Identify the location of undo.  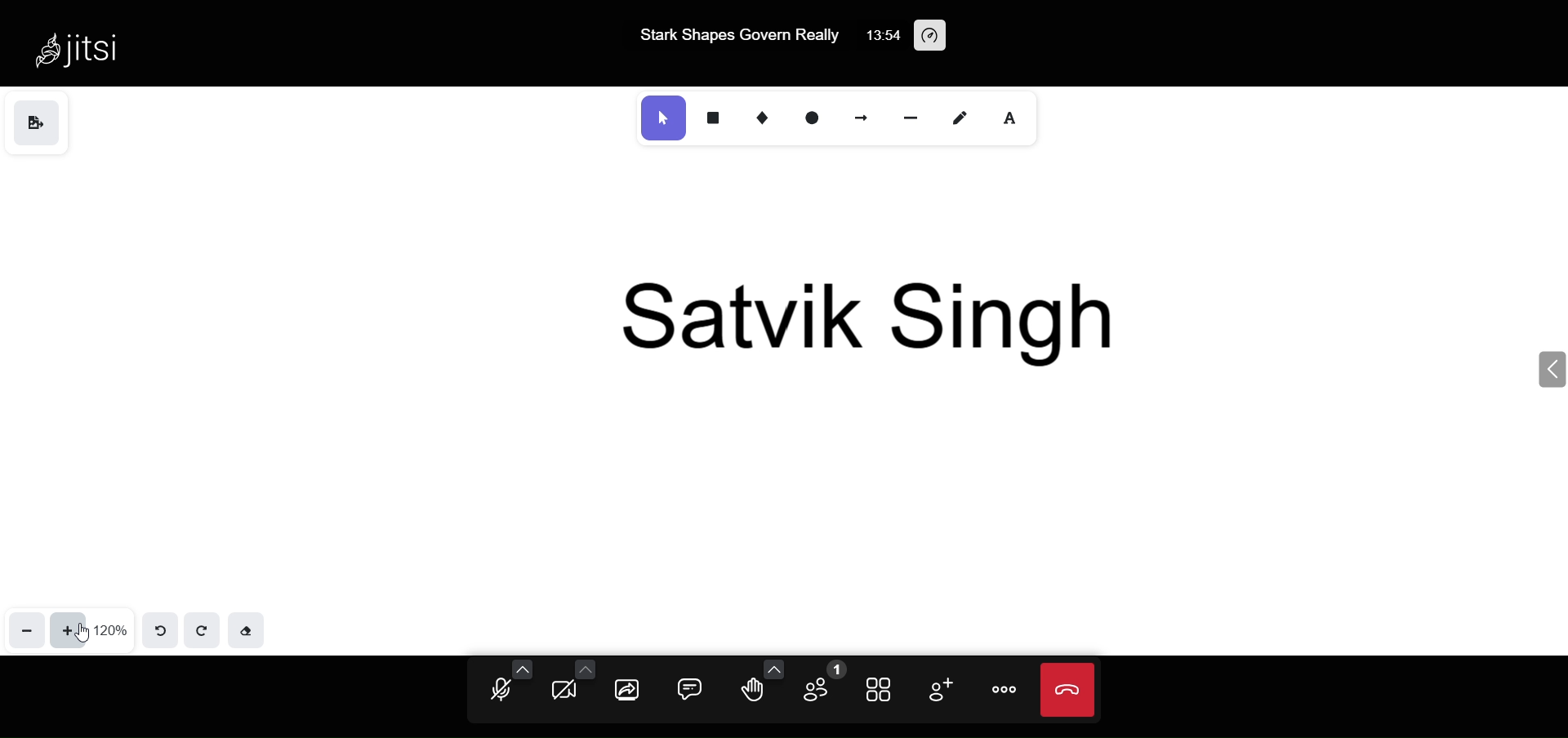
(160, 625).